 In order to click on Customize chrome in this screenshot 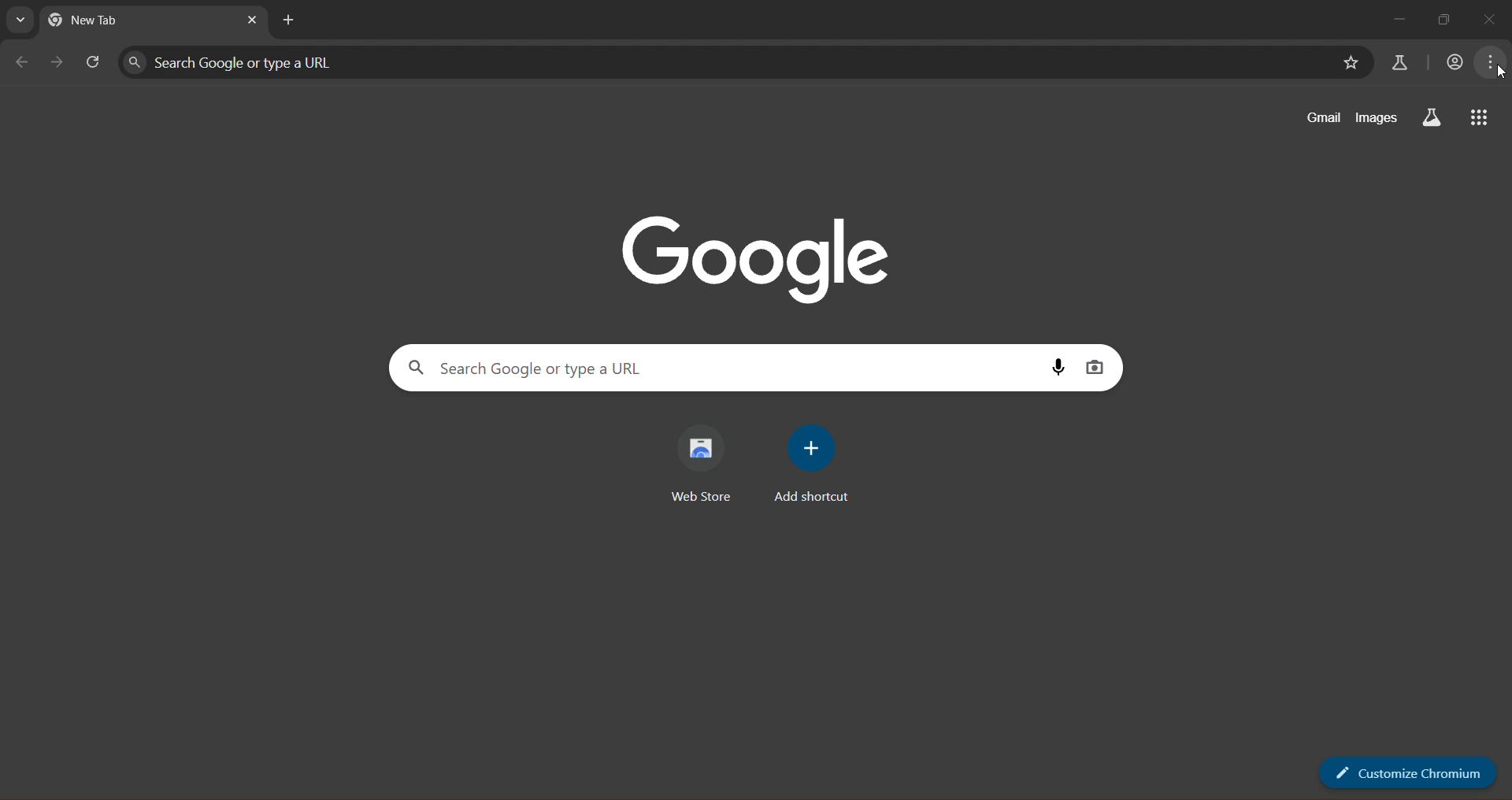, I will do `click(1405, 771)`.